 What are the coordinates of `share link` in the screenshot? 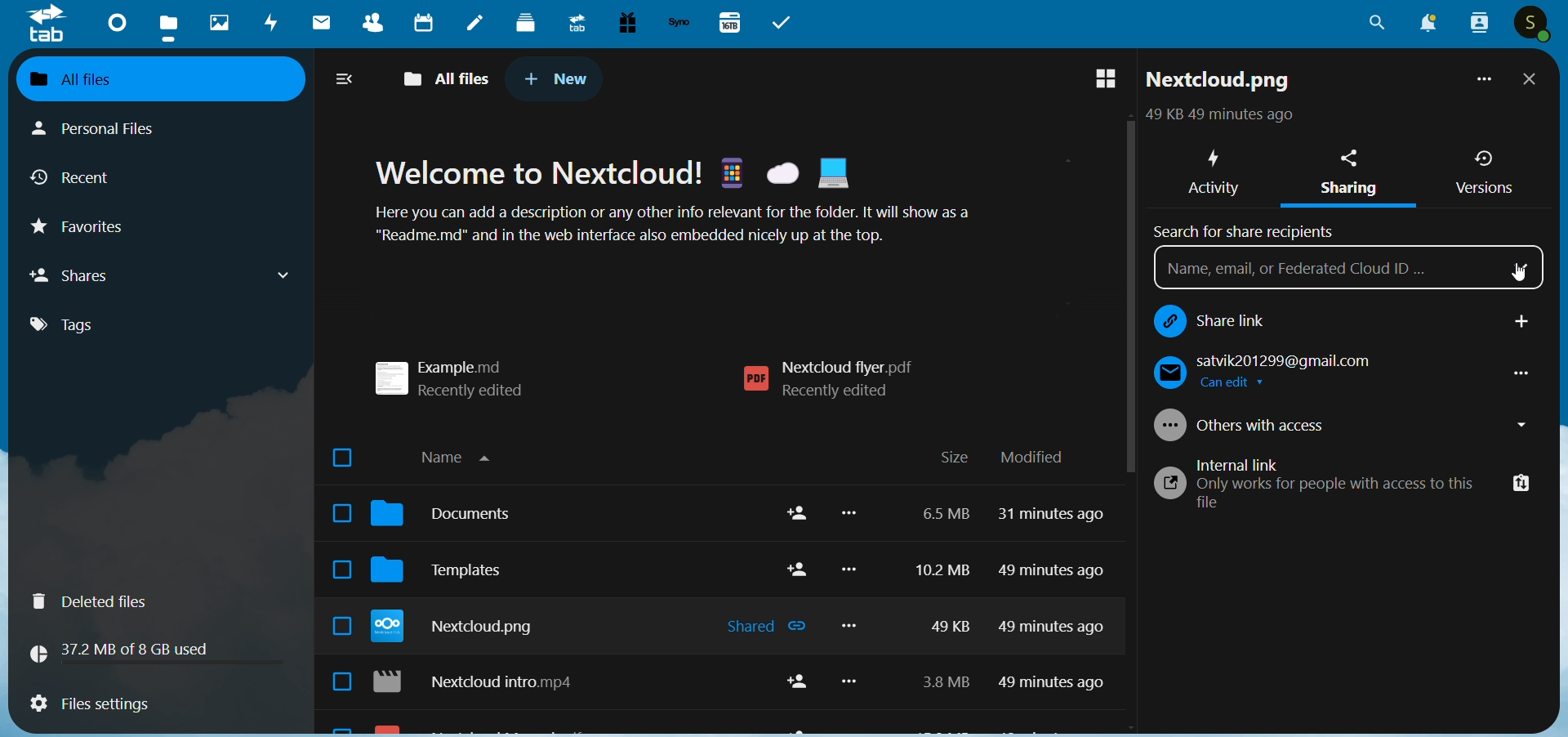 It's located at (1290, 319).